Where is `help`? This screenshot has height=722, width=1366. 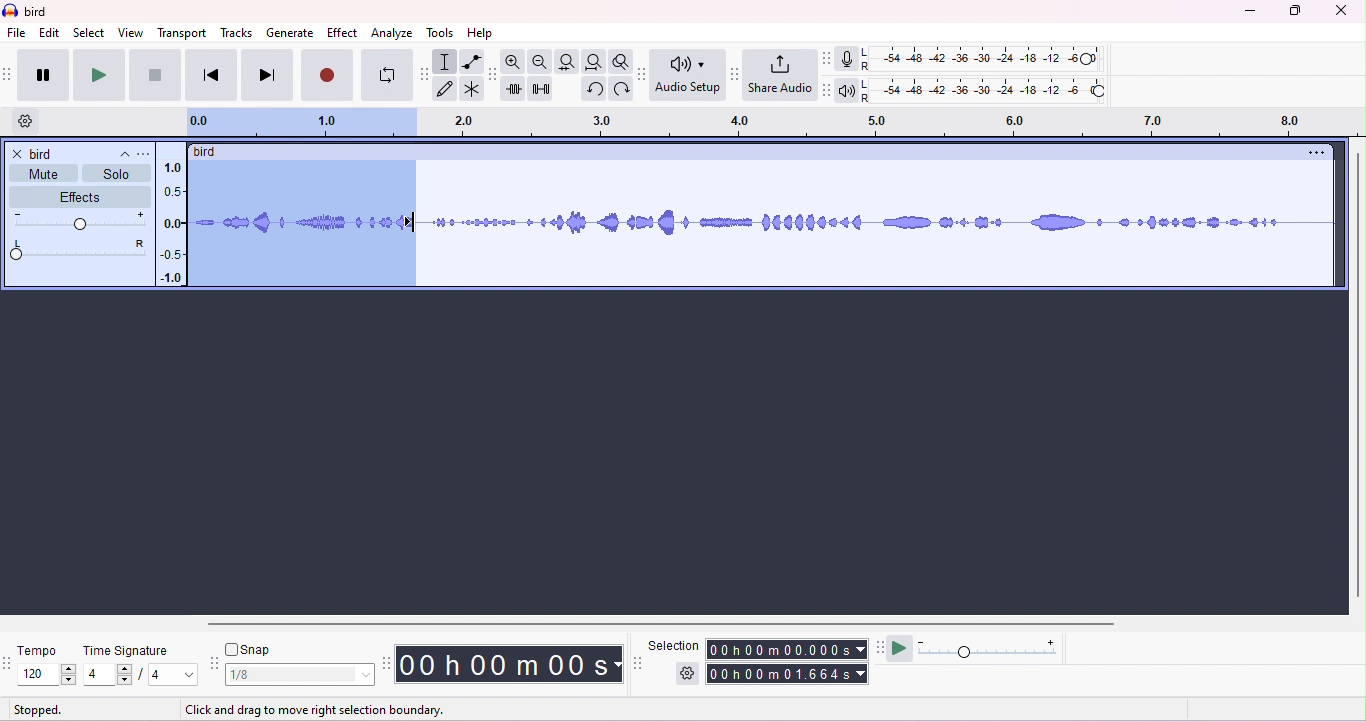 help is located at coordinates (481, 33).